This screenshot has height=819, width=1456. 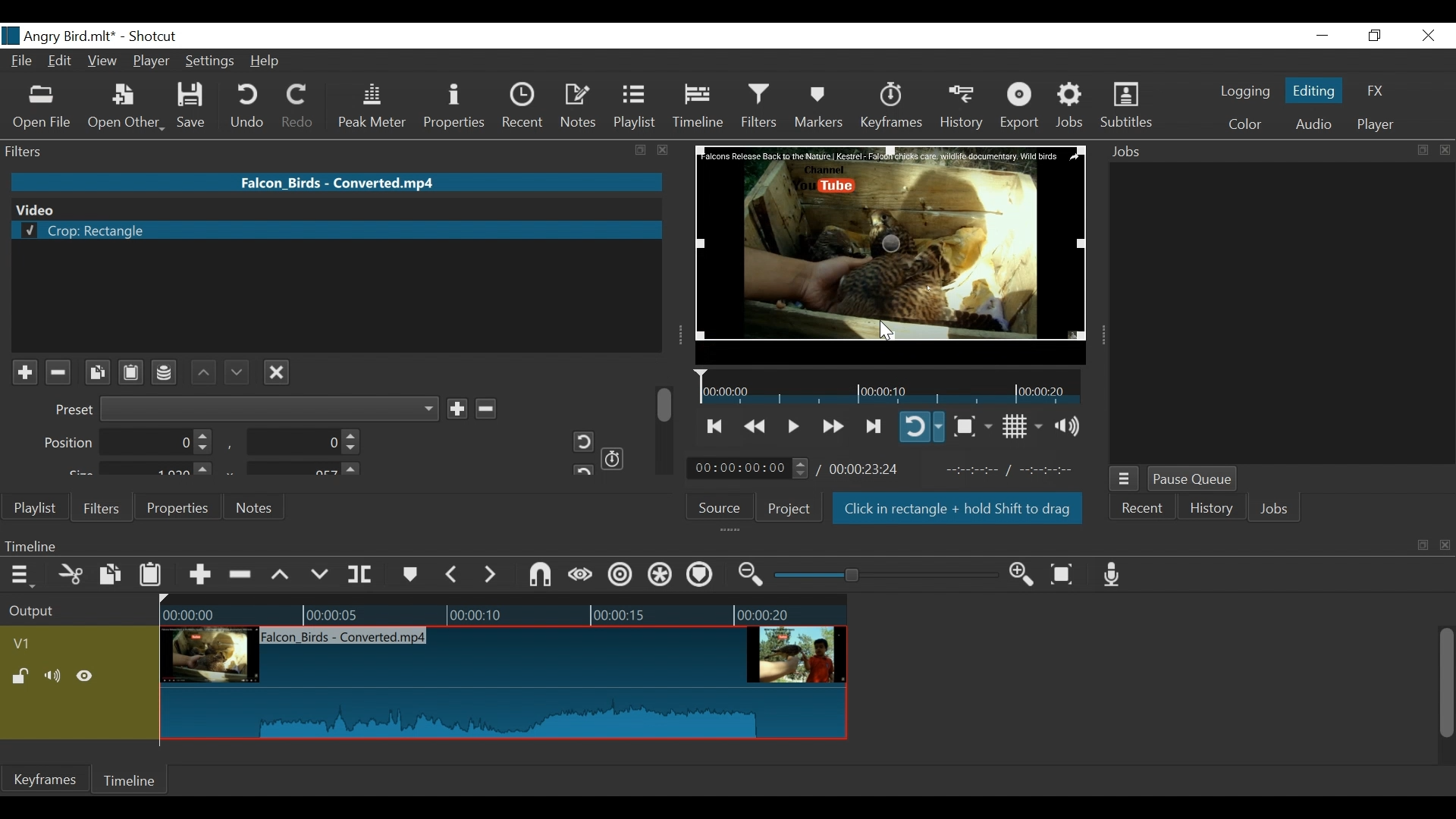 I want to click on Channel, so click(x=165, y=375).